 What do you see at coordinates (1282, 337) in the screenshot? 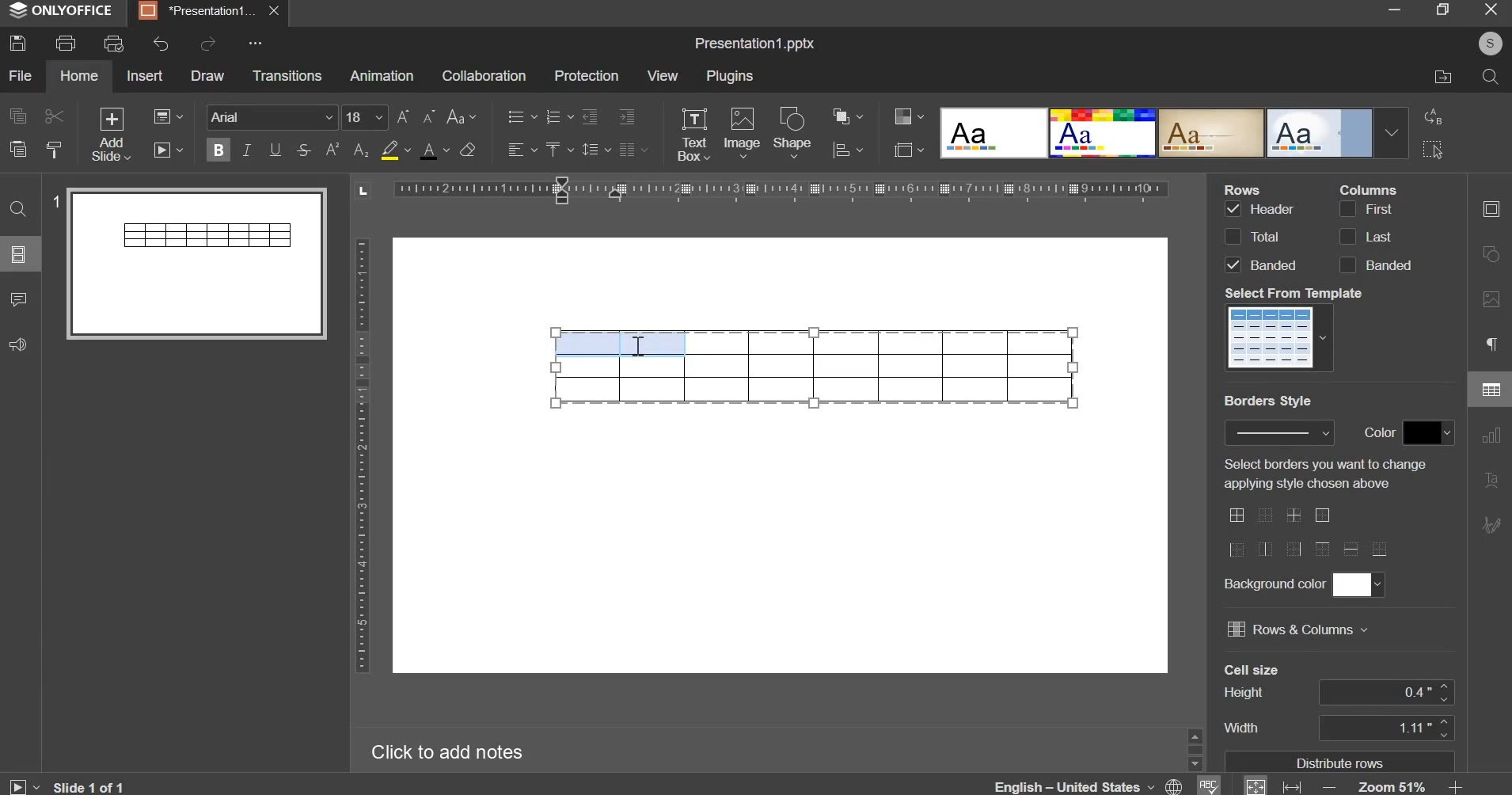
I see `template` at bounding box center [1282, 337].